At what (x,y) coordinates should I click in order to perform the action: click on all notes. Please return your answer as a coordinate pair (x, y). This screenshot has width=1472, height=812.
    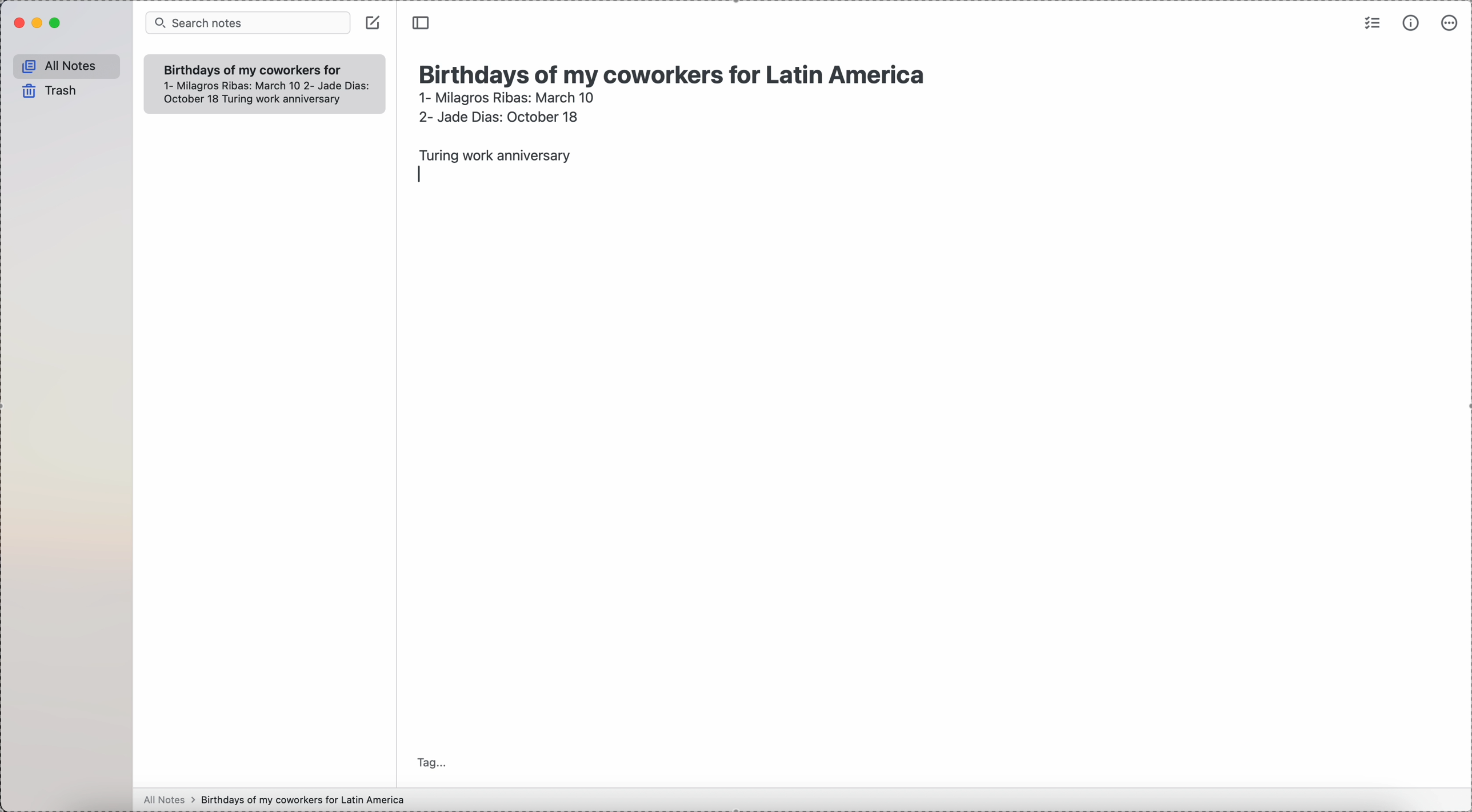
    Looking at the image, I should click on (67, 67).